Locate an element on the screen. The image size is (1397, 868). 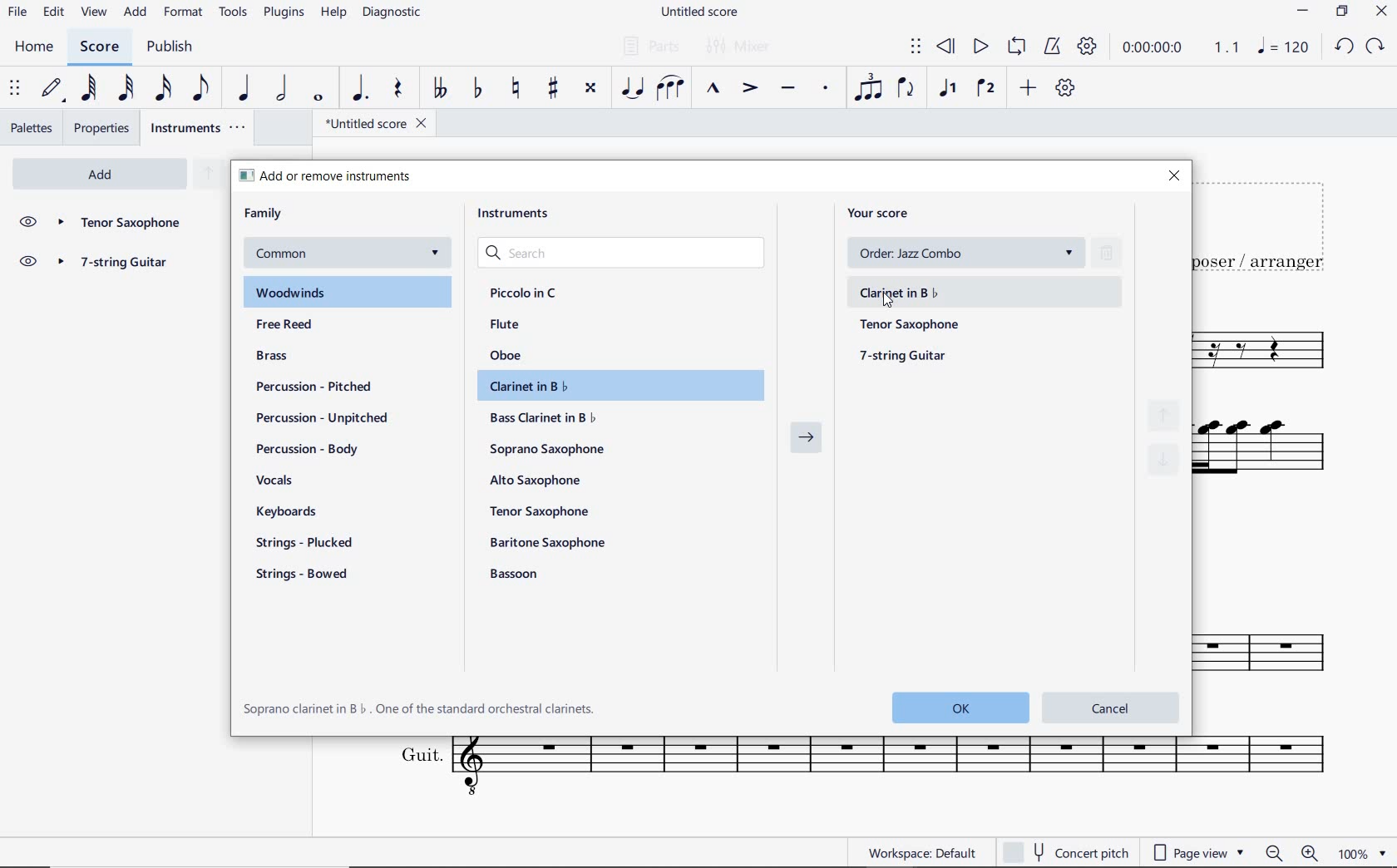
REWIND is located at coordinates (946, 48).